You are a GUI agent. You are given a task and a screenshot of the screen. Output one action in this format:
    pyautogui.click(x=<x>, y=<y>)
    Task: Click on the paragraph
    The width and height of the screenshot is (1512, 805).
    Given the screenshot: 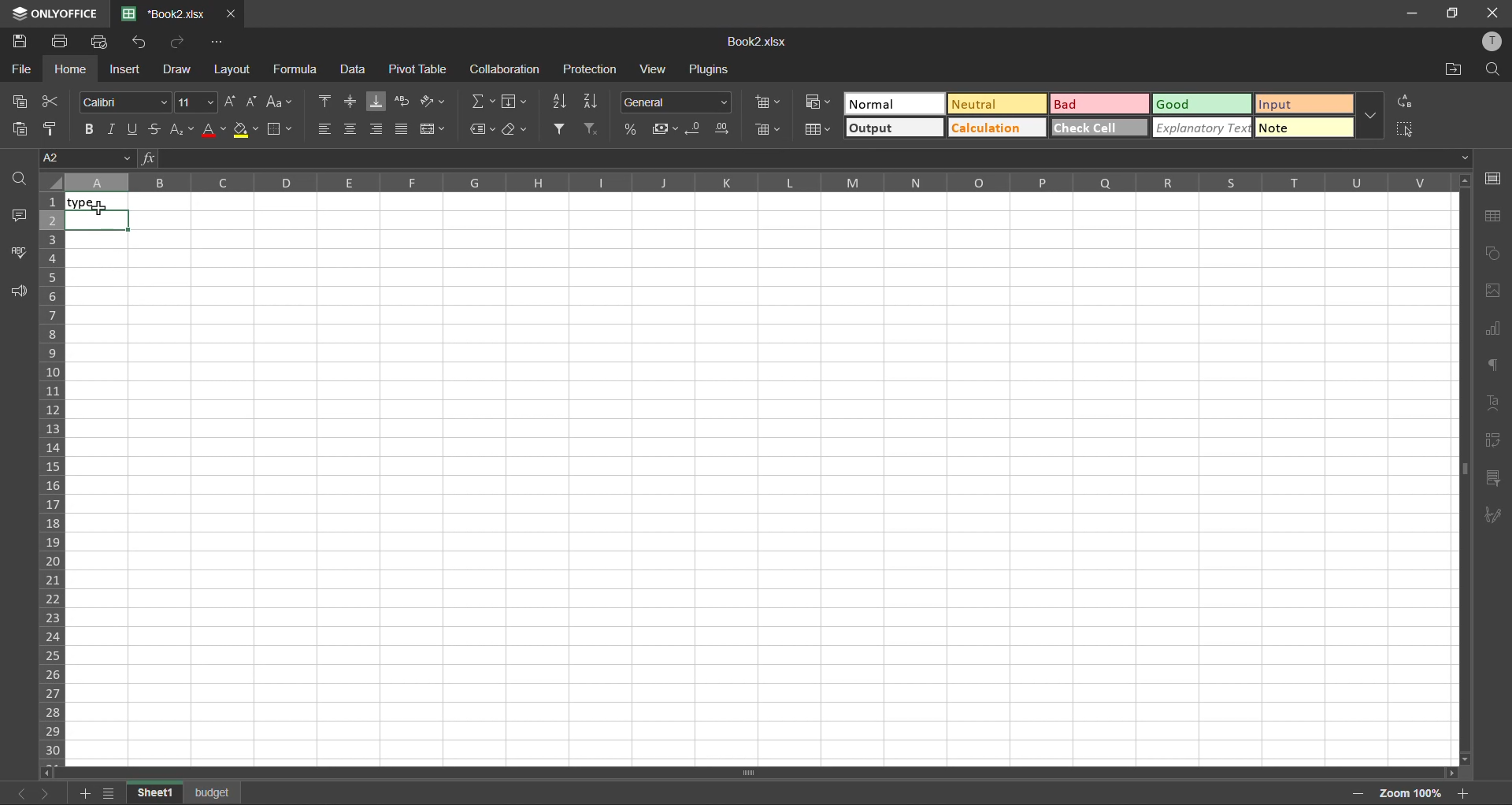 What is the action you would take?
    pyautogui.click(x=1492, y=365)
    